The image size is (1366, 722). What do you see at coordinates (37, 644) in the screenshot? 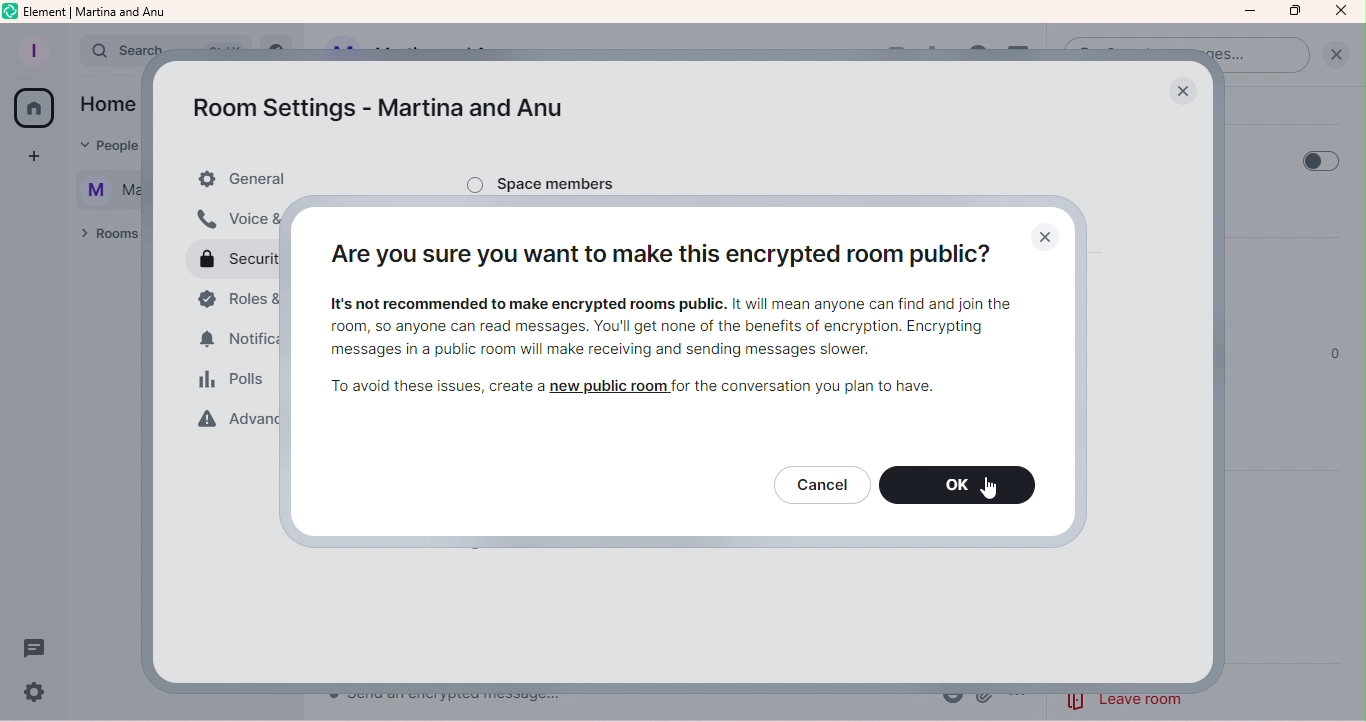
I see `Threads` at bounding box center [37, 644].